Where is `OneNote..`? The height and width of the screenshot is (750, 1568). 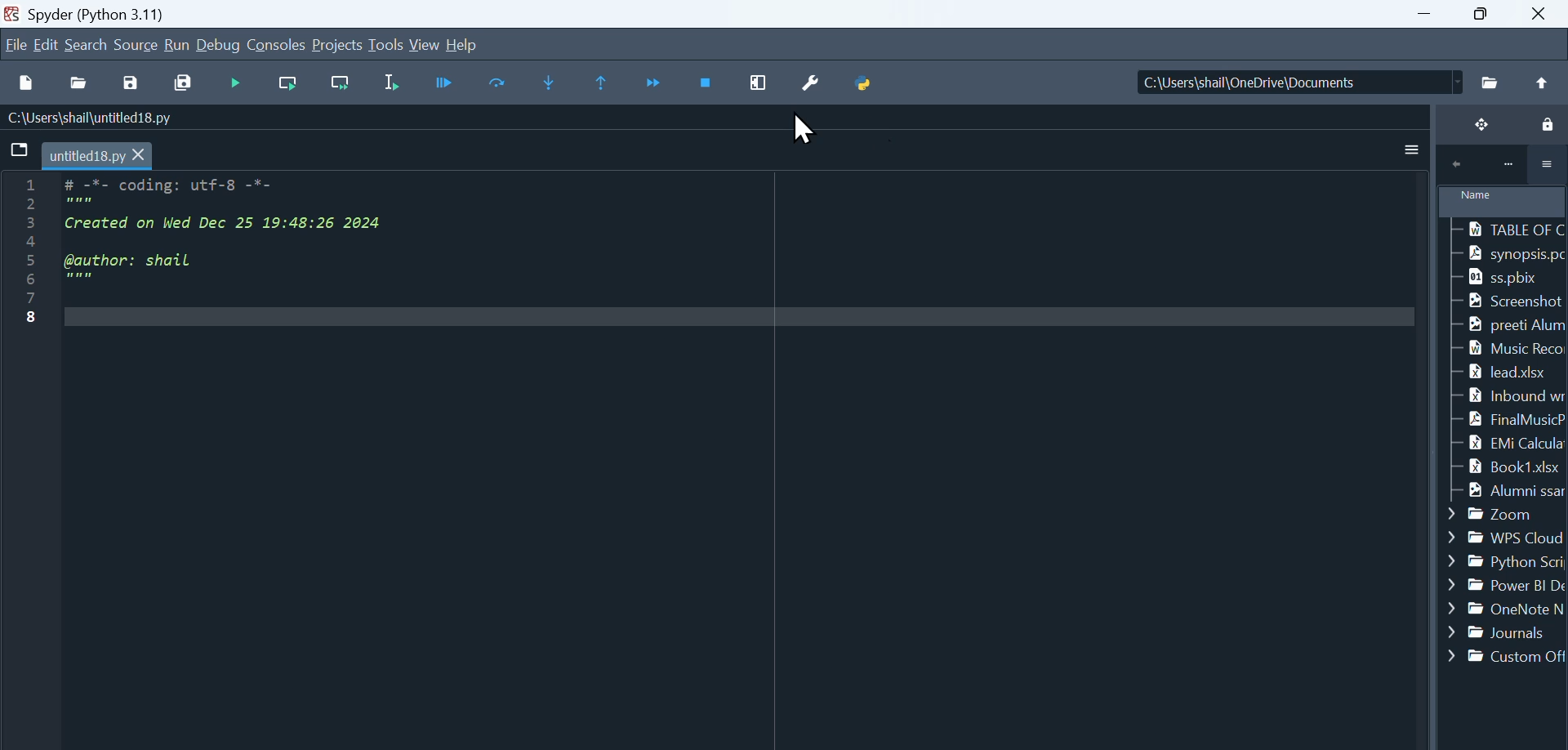 OneNote.. is located at coordinates (1506, 611).